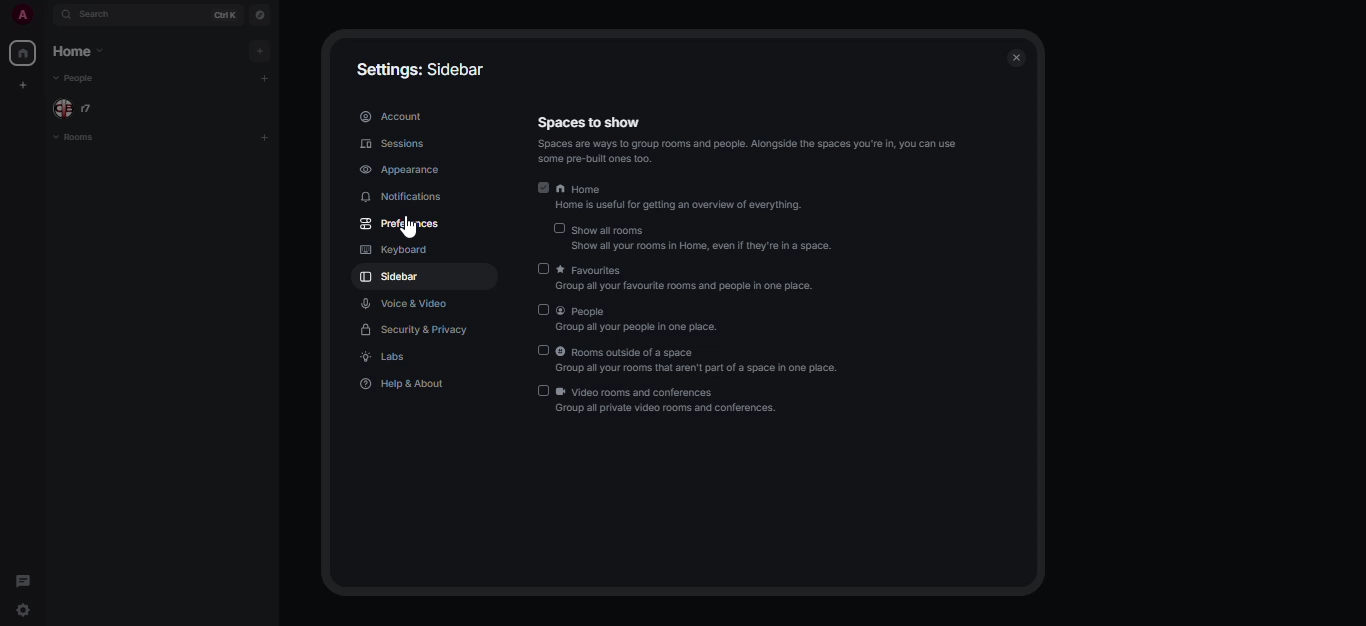  Describe the element at coordinates (395, 114) in the screenshot. I see `account` at that location.